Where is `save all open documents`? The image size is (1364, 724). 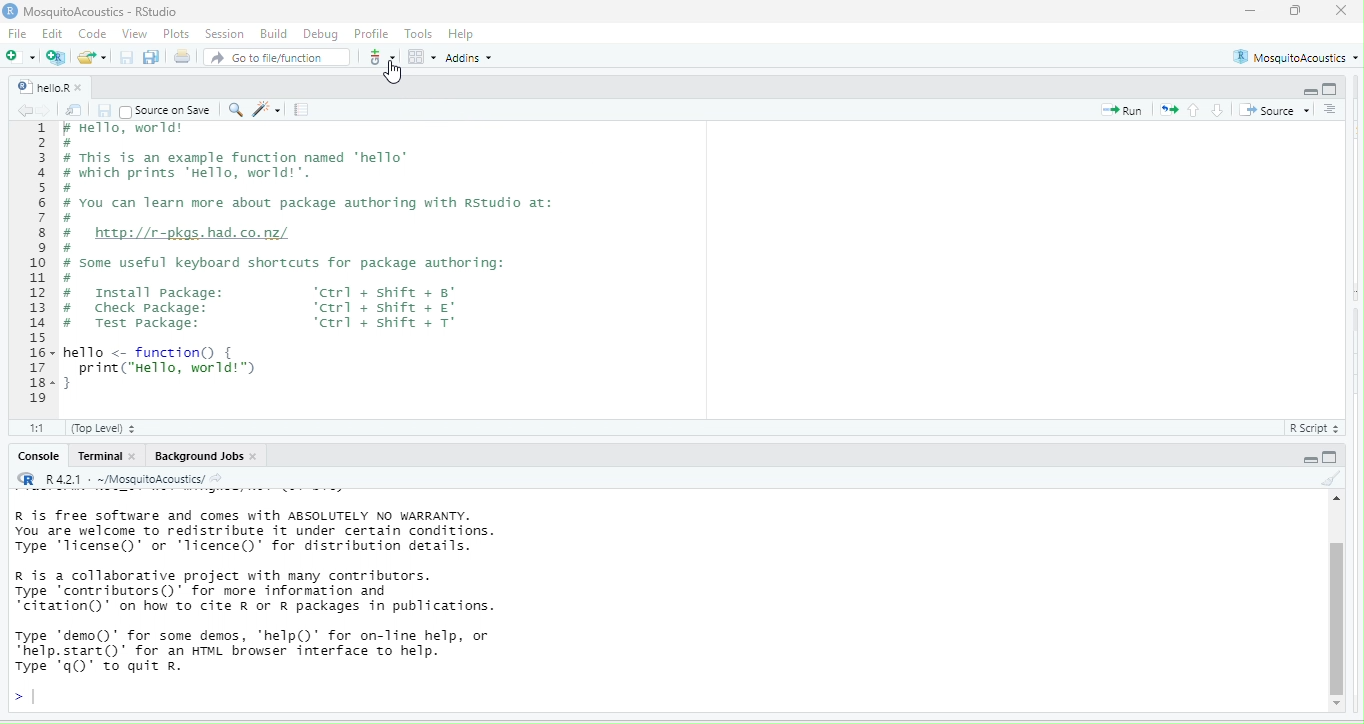 save all open documents is located at coordinates (151, 57).